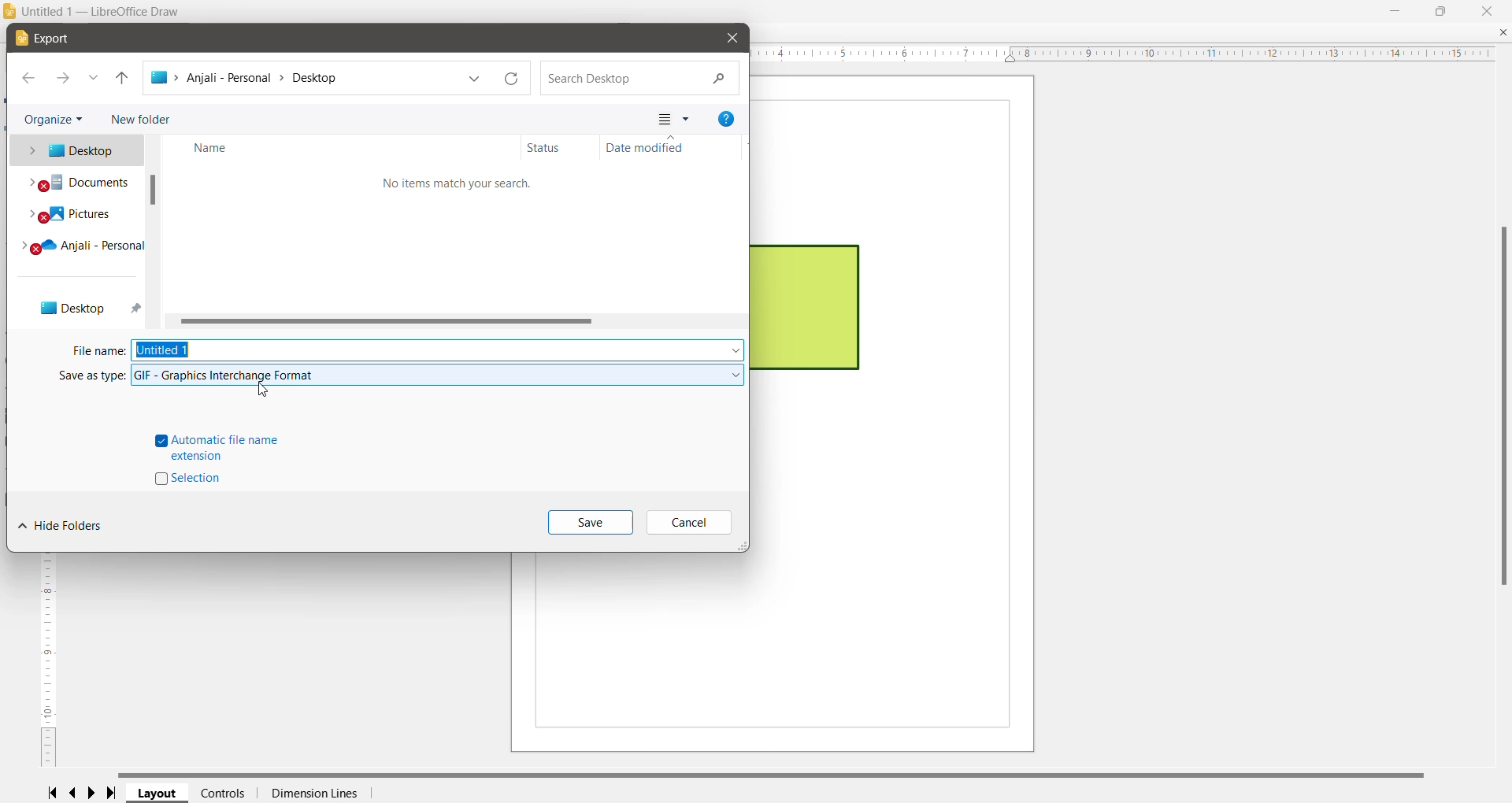 This screenshot has width=1512, height=803. Describe the element at coordinates (116, 794) in the screenshot. I see `Scroll to last page` at that location.